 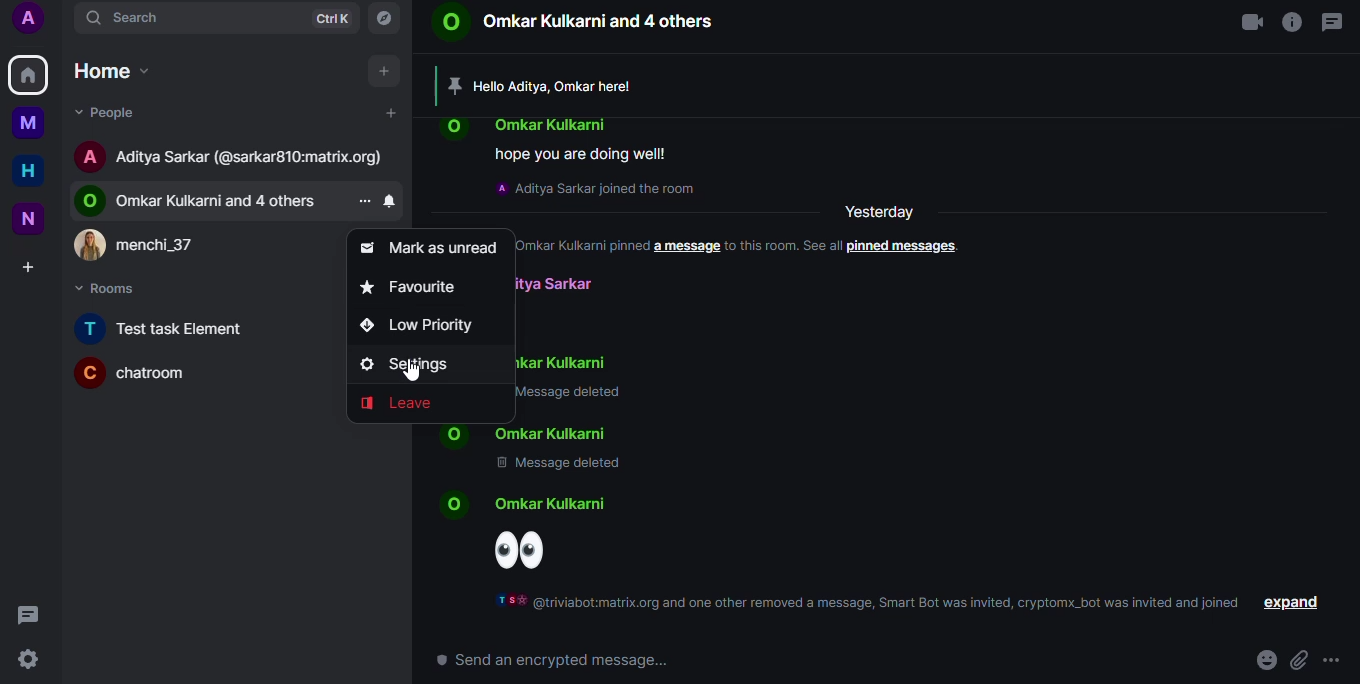 I want to click on a message, so click(x=685, y=246).